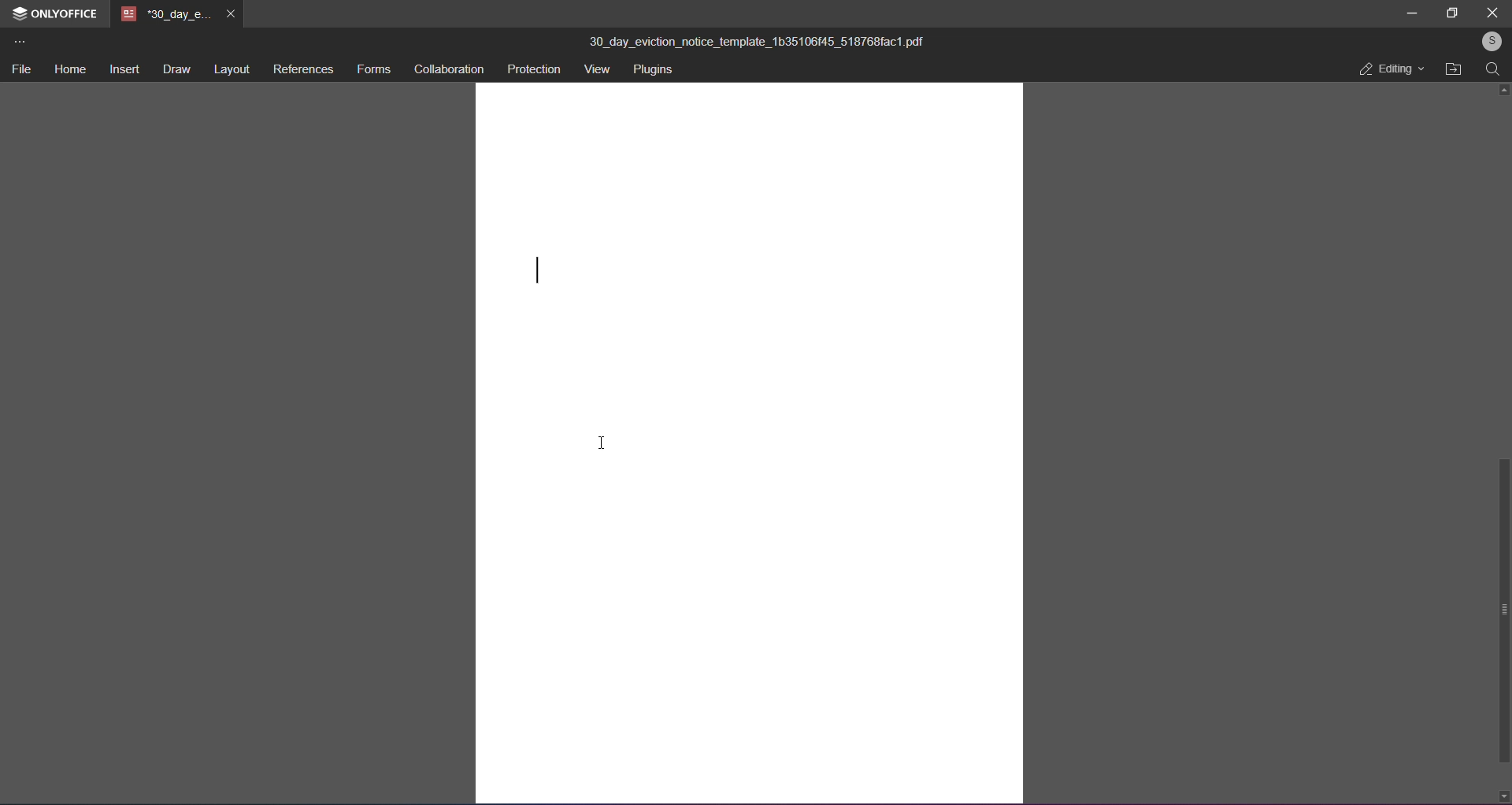  Describe the element at coordinates (1501, 90) in the screenshot. I see `up` at that location.